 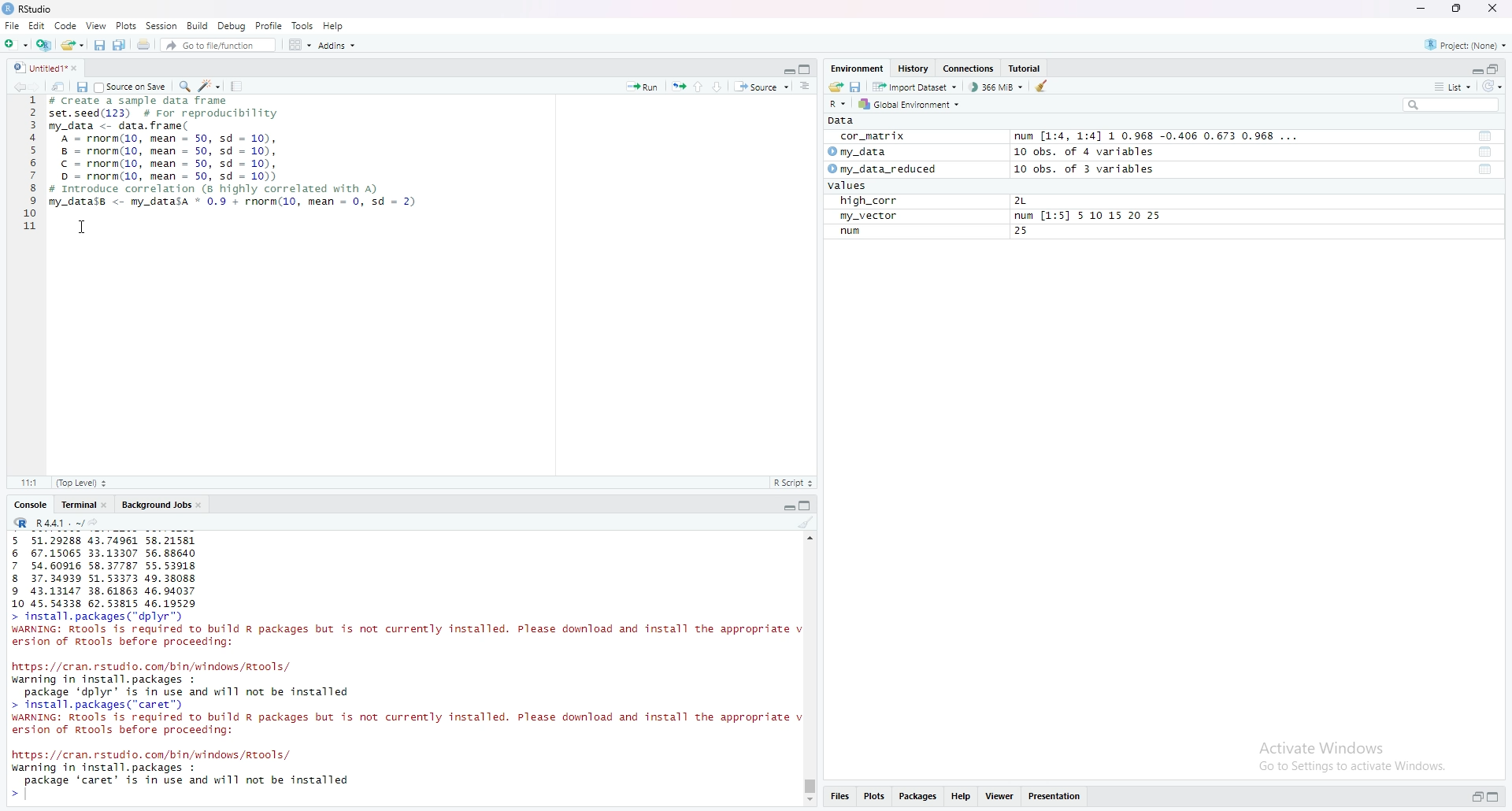 What do you see at coordinates (806, 505) in the screenshot?
I see `copy` at bounding box center [806, 505].